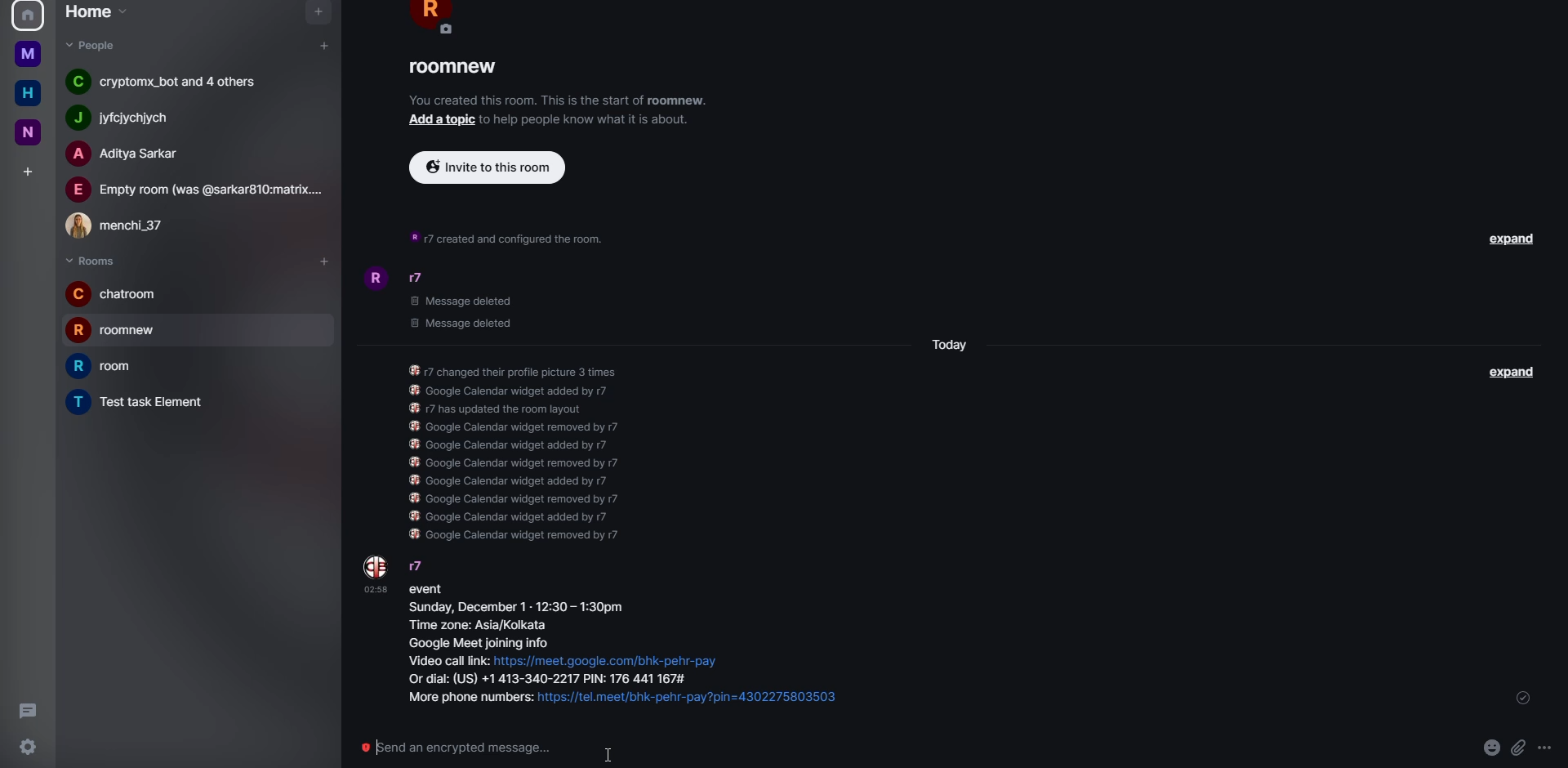  What do you see at coordinates (1547, 745) in the screenshot?
I see `options` at bounding box center [1547, 745].